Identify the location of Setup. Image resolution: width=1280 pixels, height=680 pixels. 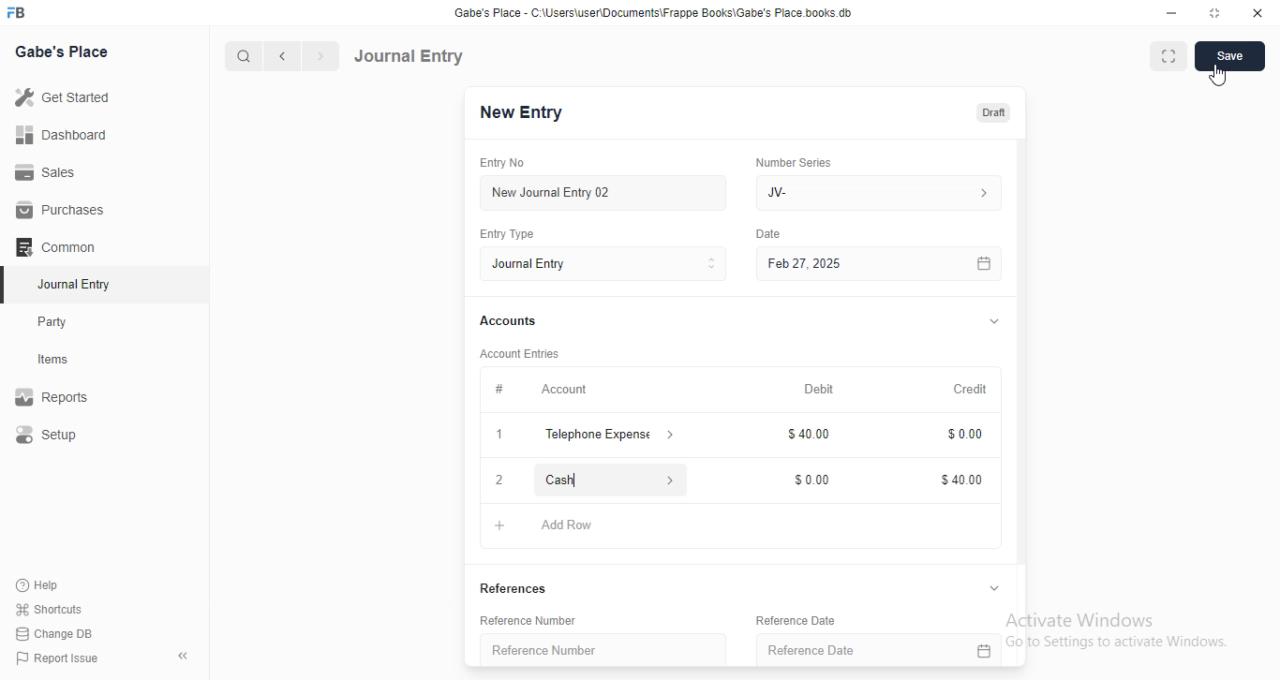
(49, 434).